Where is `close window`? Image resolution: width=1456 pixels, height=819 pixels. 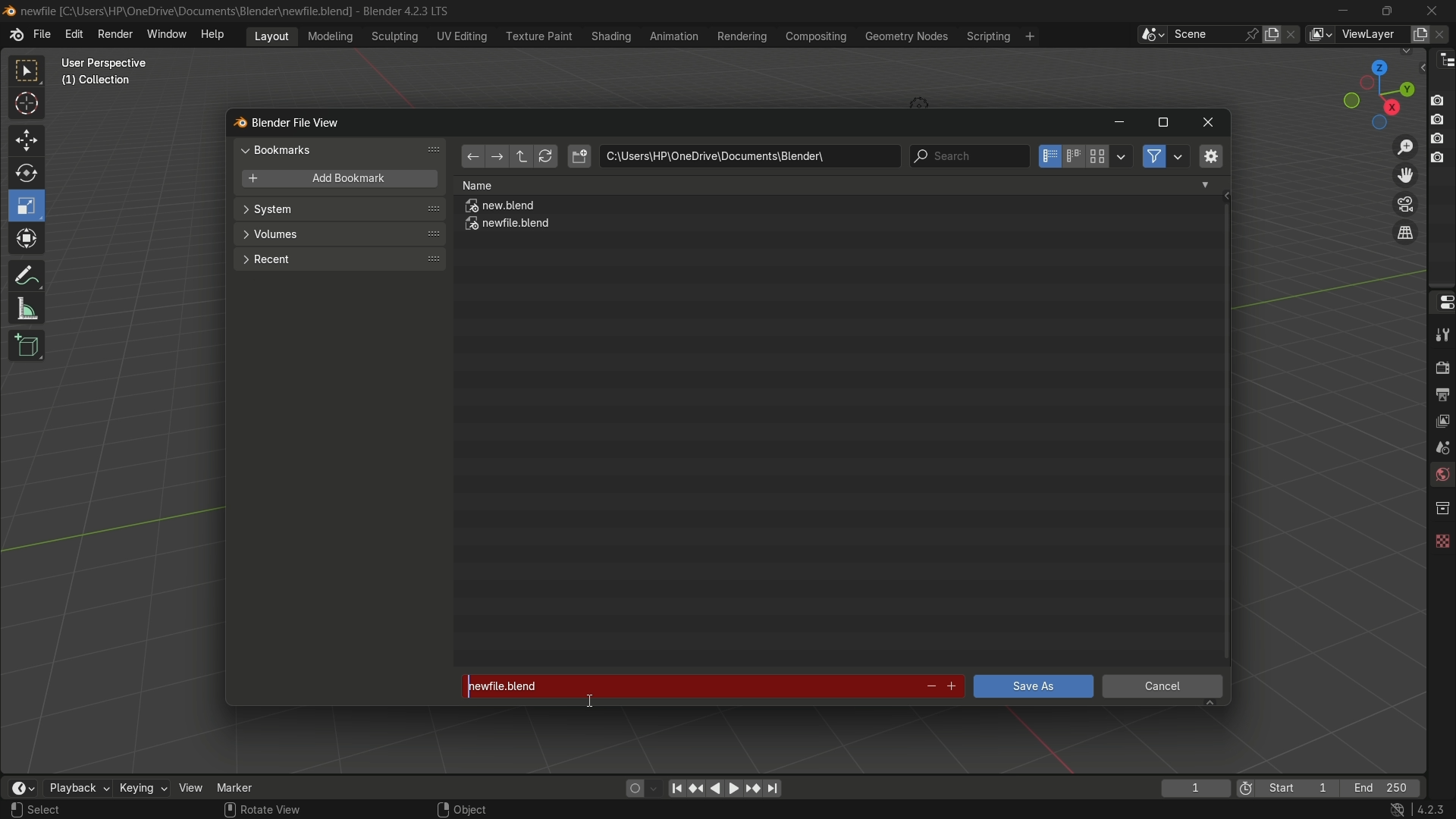
close window is located at coordinates (1209, 123).